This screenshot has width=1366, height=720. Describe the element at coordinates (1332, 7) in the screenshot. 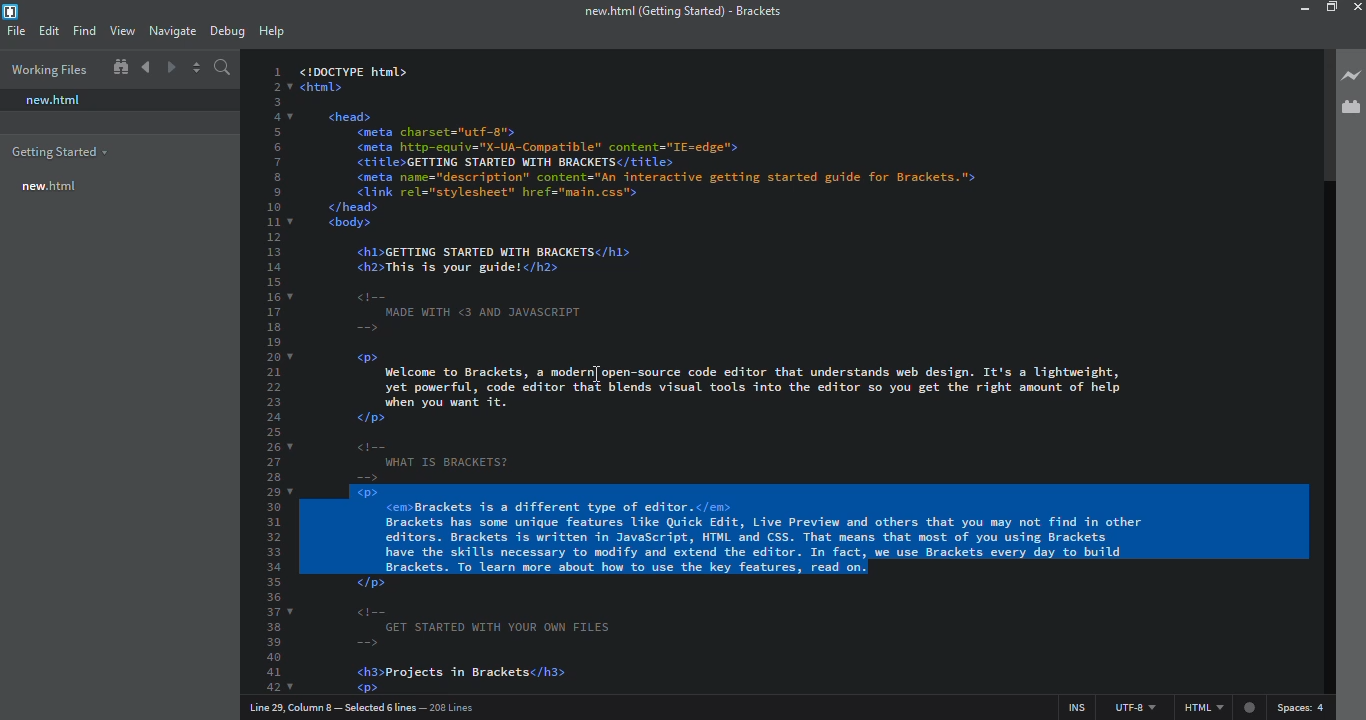

I see `maximize` at that location.